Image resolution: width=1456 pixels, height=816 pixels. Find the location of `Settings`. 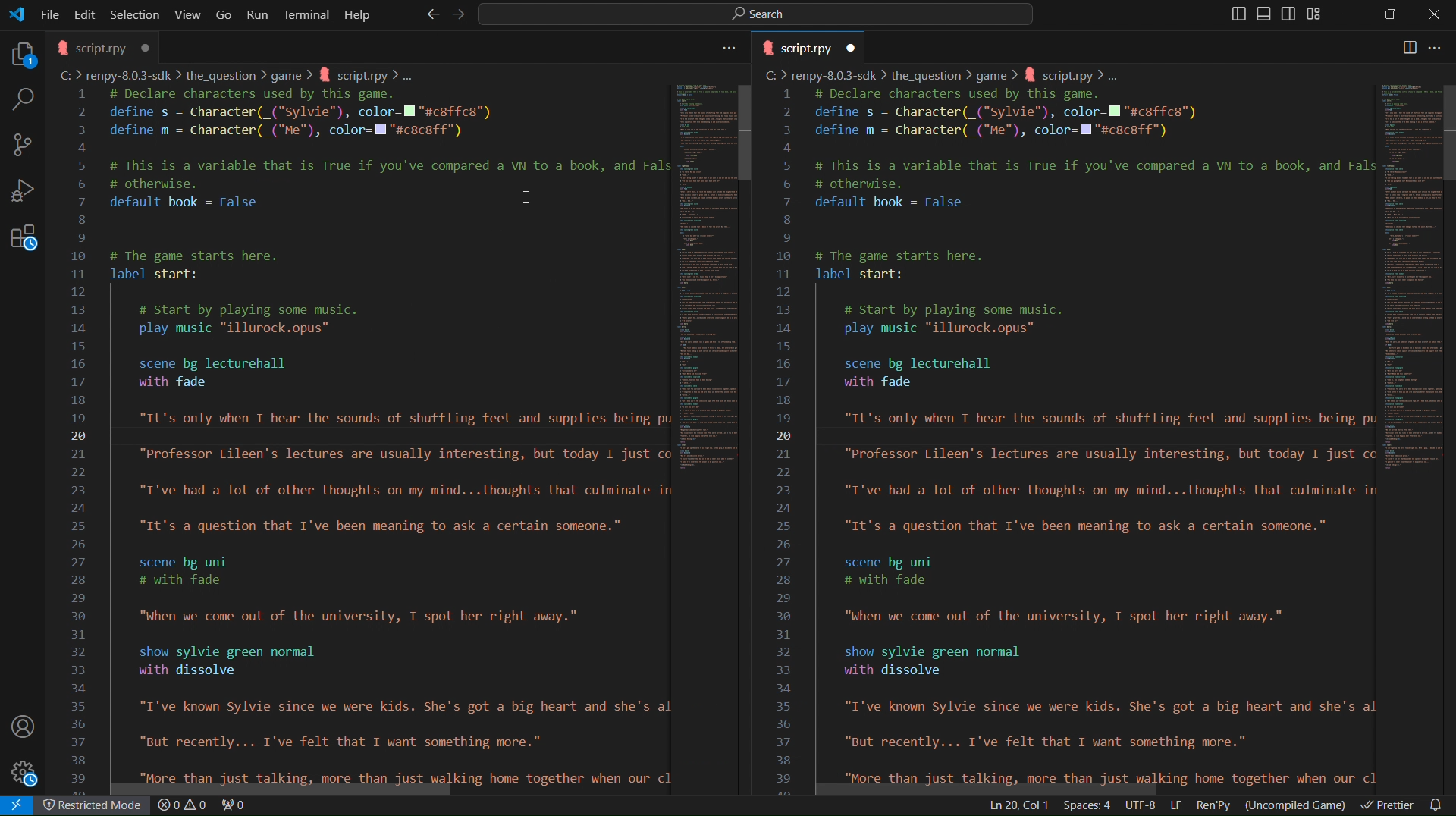

Settings is located at coordinates (27, 774).